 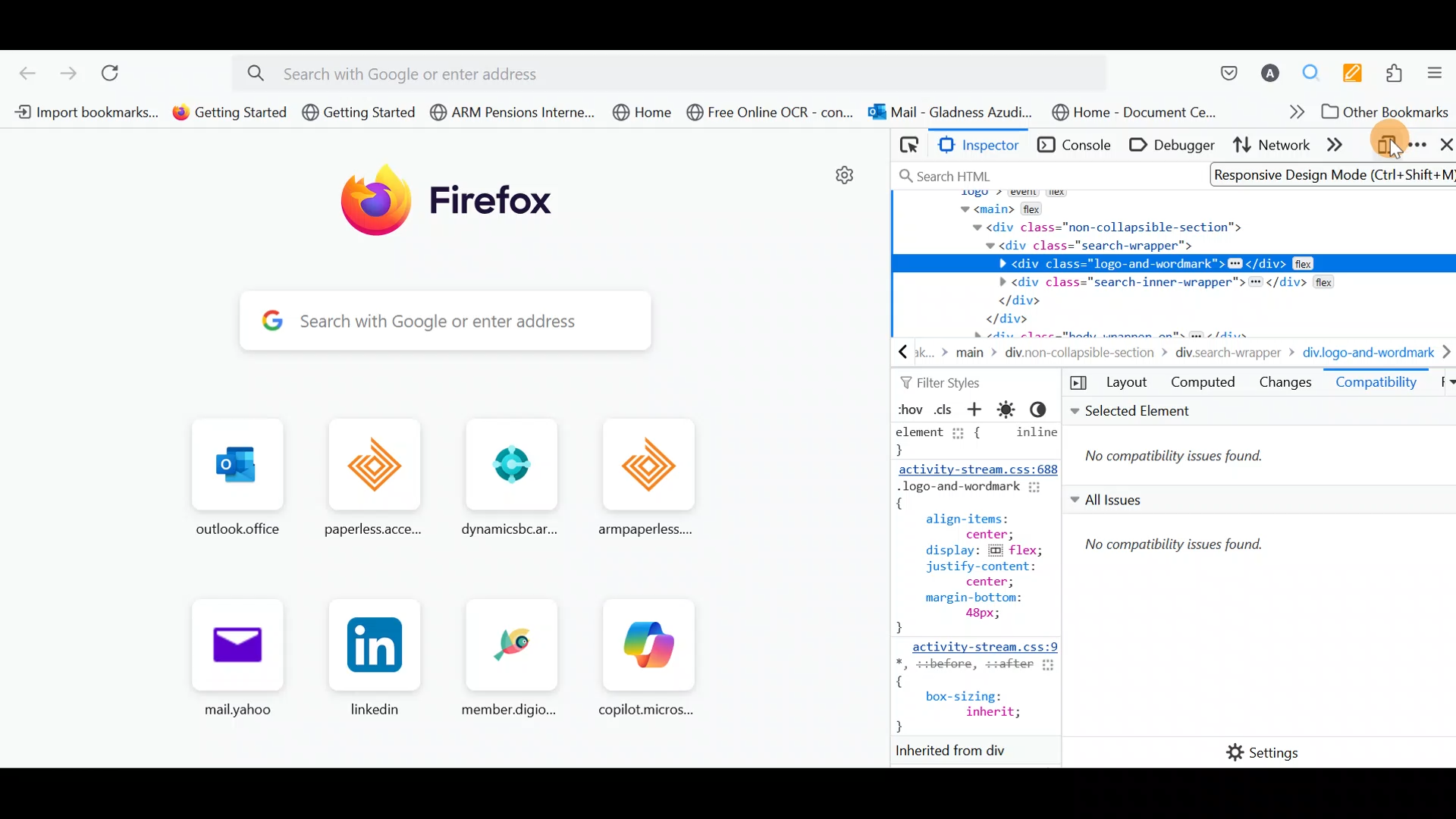 I want to click on Toggle light colour scheme simulation for the page, so click(x=1011, y=409).